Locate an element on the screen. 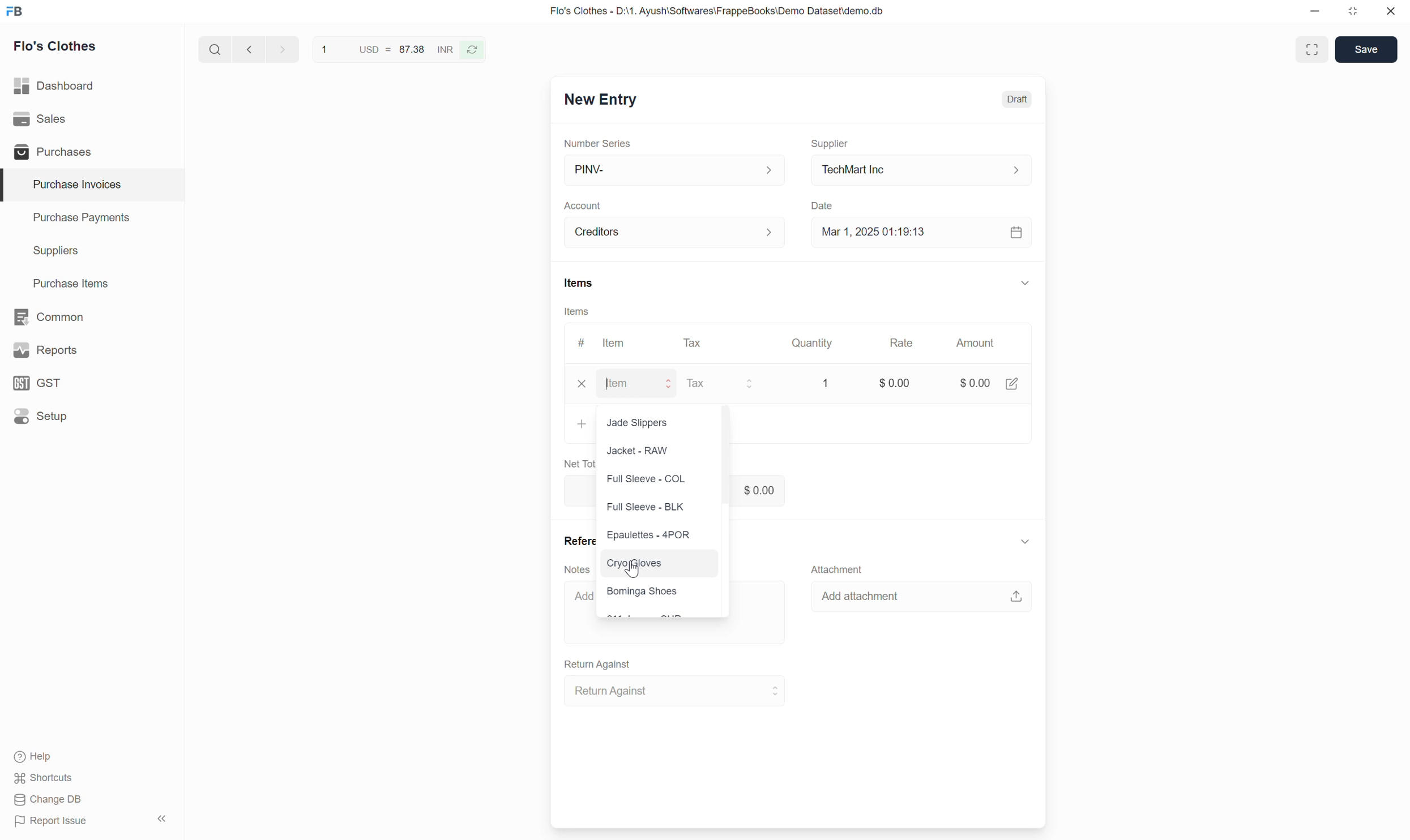 Image resolution: width=1410 pixels, height=840 pixels. PINV- is located at coordinates (670, 170).